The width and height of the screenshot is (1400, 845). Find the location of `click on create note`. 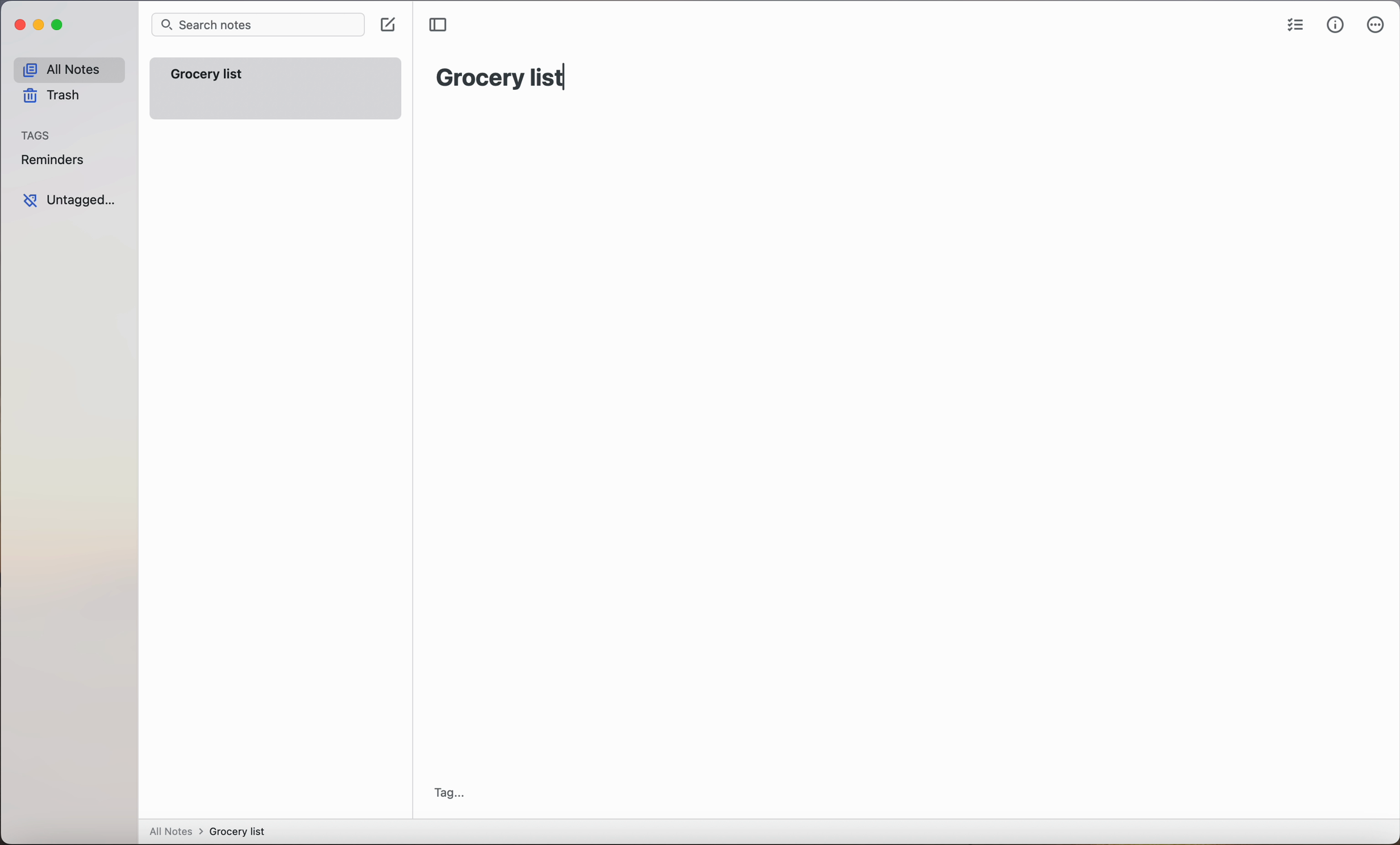

click on create note is located at coordinates (387, 26).